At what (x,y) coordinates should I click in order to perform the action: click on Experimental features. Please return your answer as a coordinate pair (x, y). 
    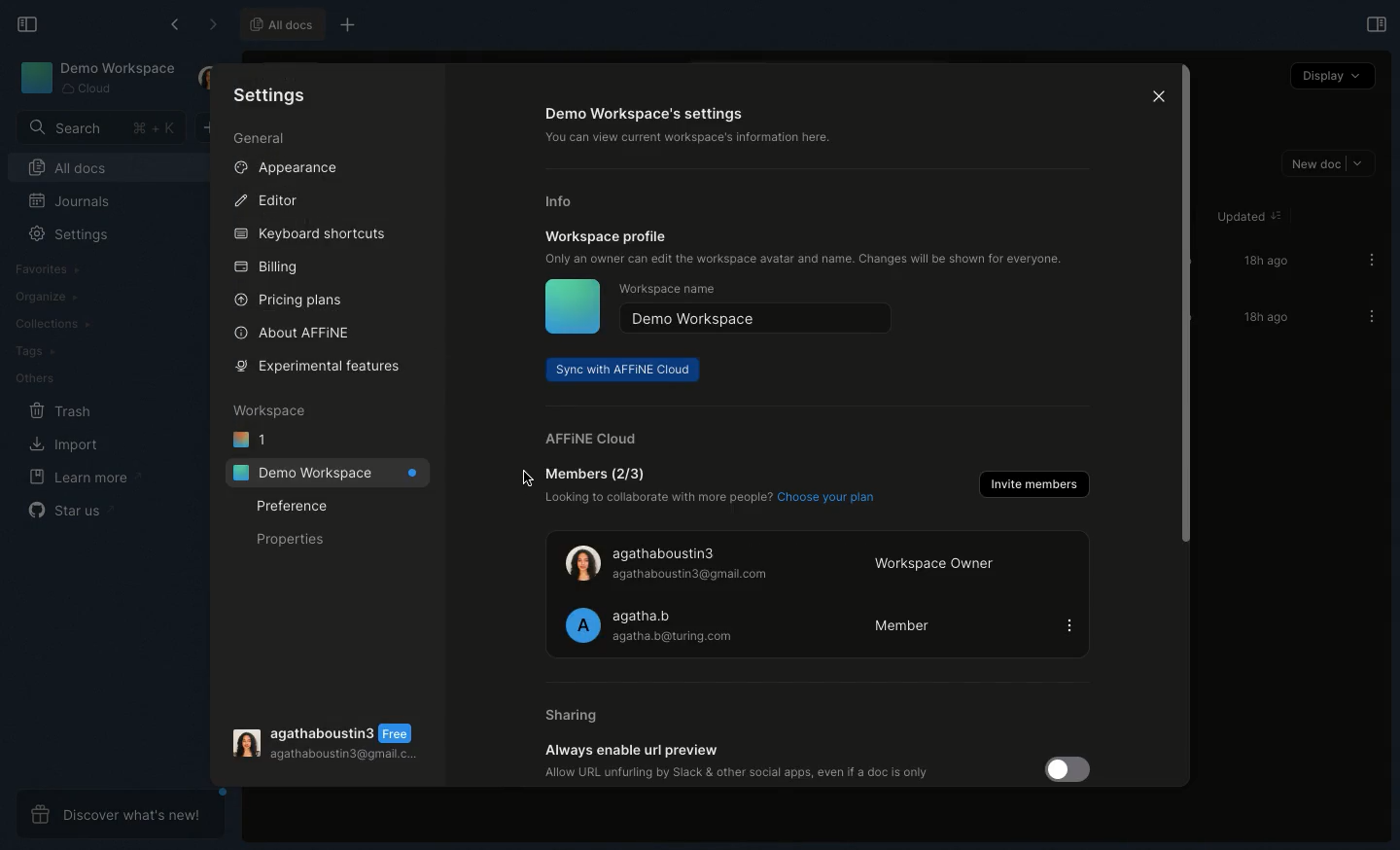
    Looking at the image, I should click on (321, 364).